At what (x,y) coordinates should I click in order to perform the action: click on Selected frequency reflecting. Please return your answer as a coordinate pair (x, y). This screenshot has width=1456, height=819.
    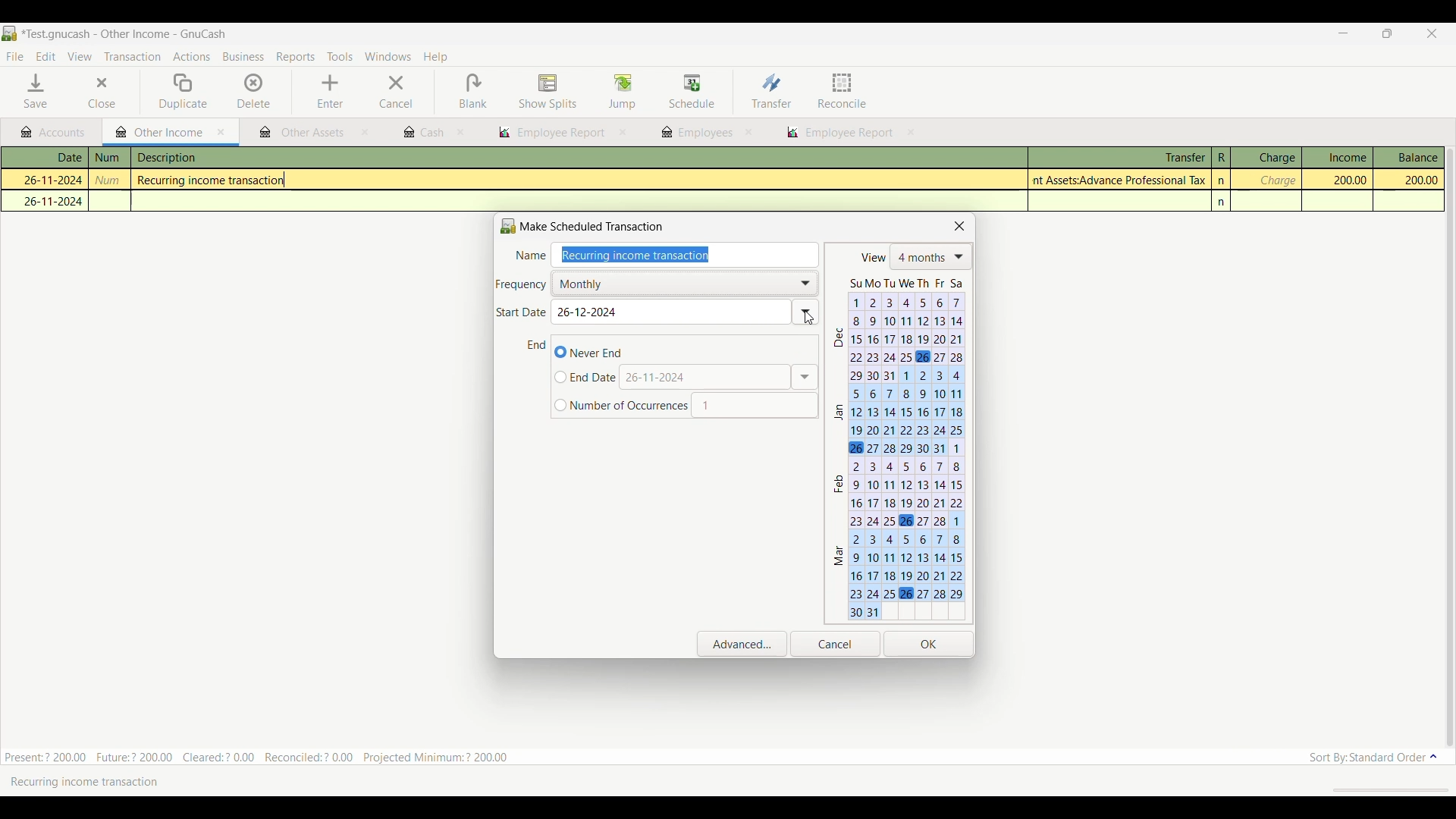
    Looking at the image, I should click on (689, 283).